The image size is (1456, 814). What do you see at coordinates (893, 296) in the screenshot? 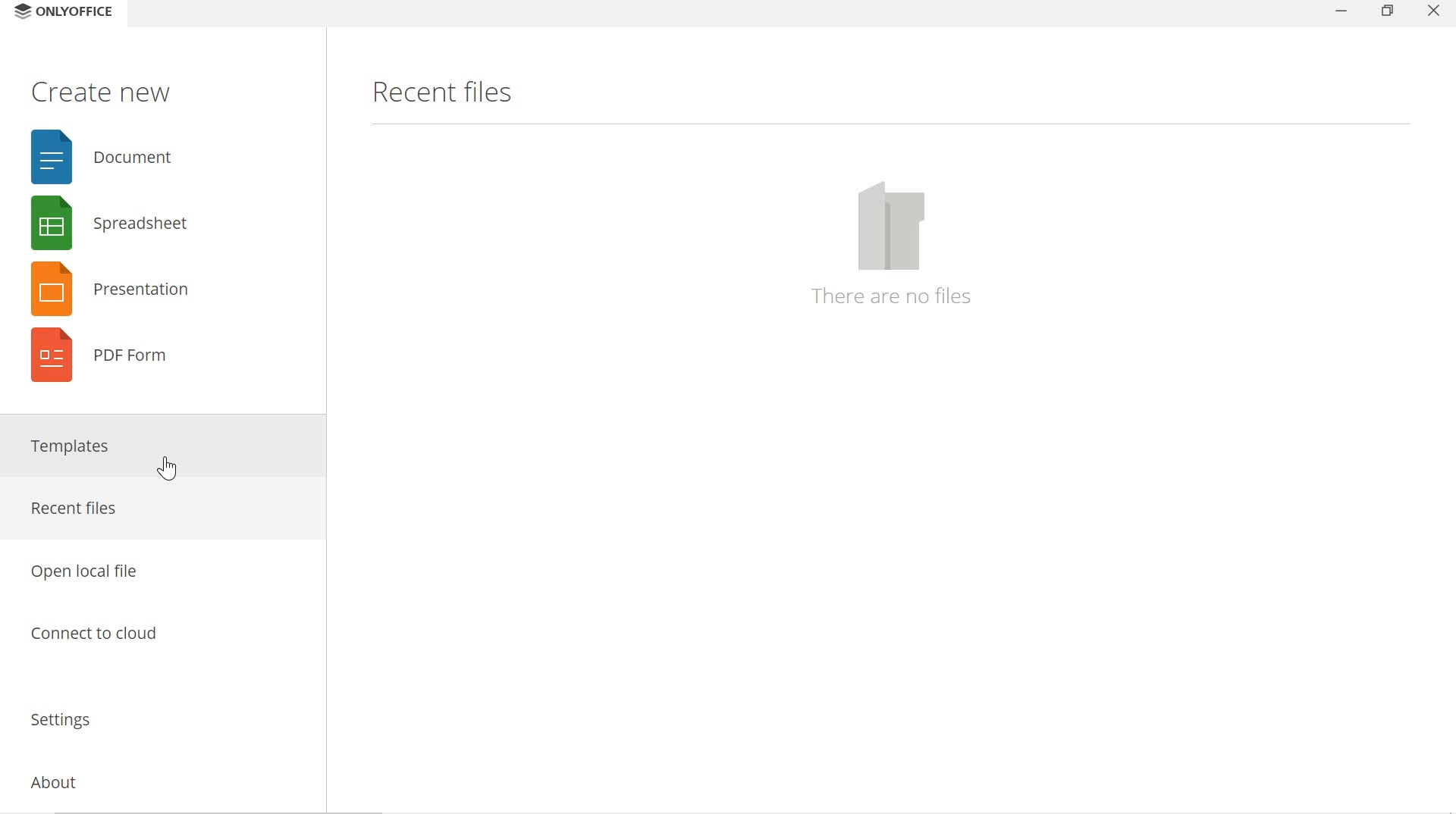
I see `there are no files` at bounding box center [893, 296].